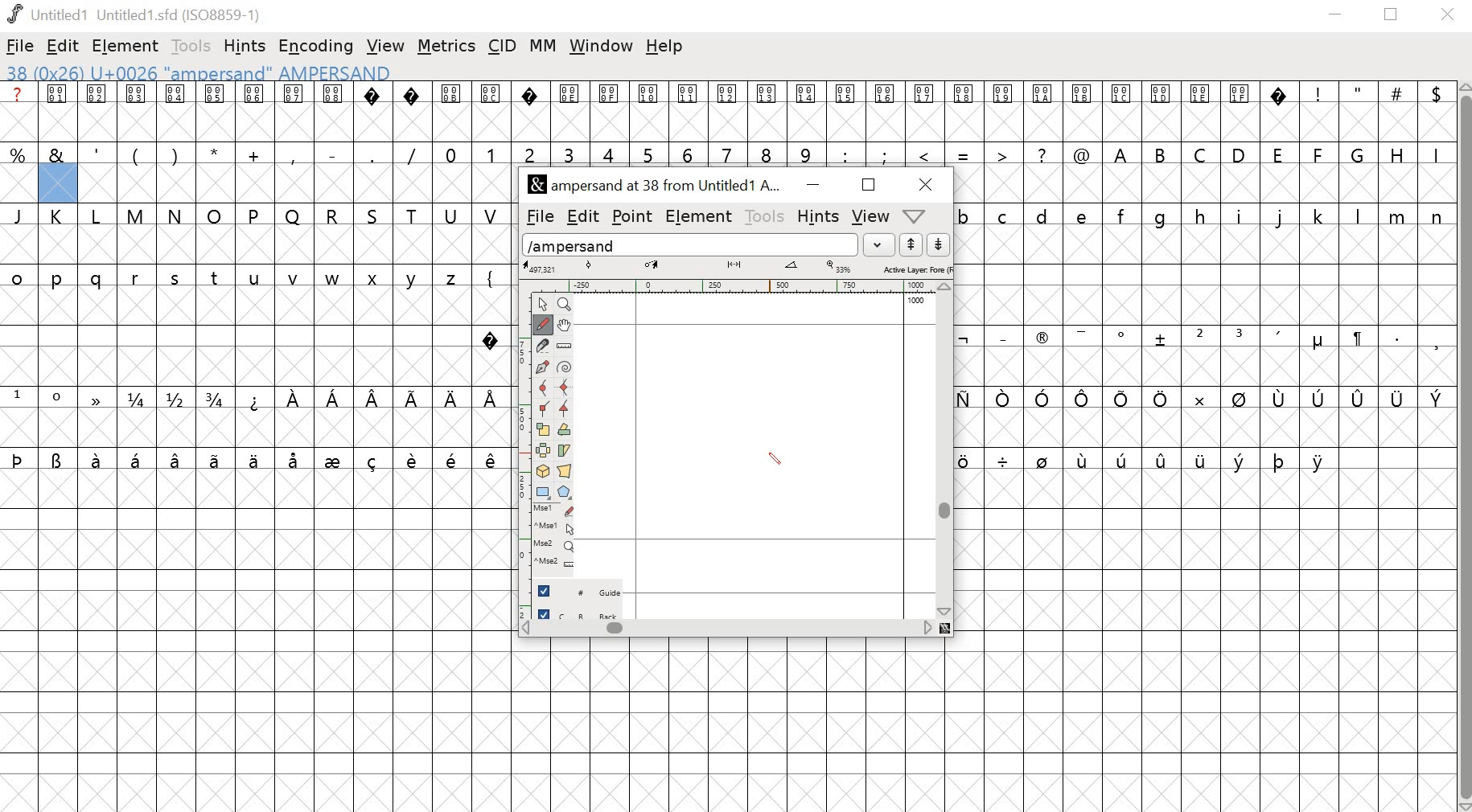  What do you see at coordinates (413, 112) in the screenshot?
I see `?` at bounding box center [413, 112].